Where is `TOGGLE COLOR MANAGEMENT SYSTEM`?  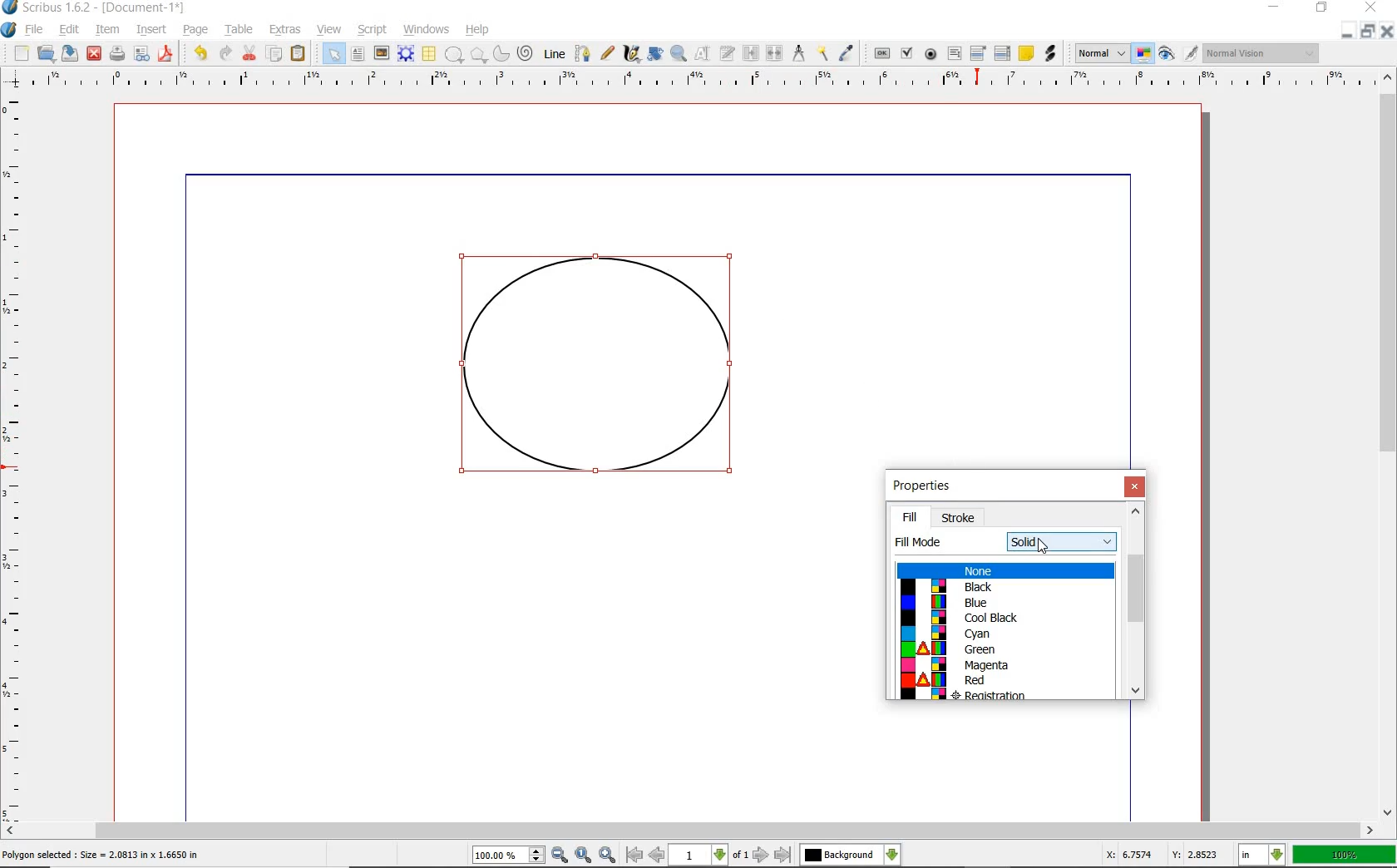 TOGGLE COLOR MANAGEMENT SYSTEM is located at coordinates (1144, 53).